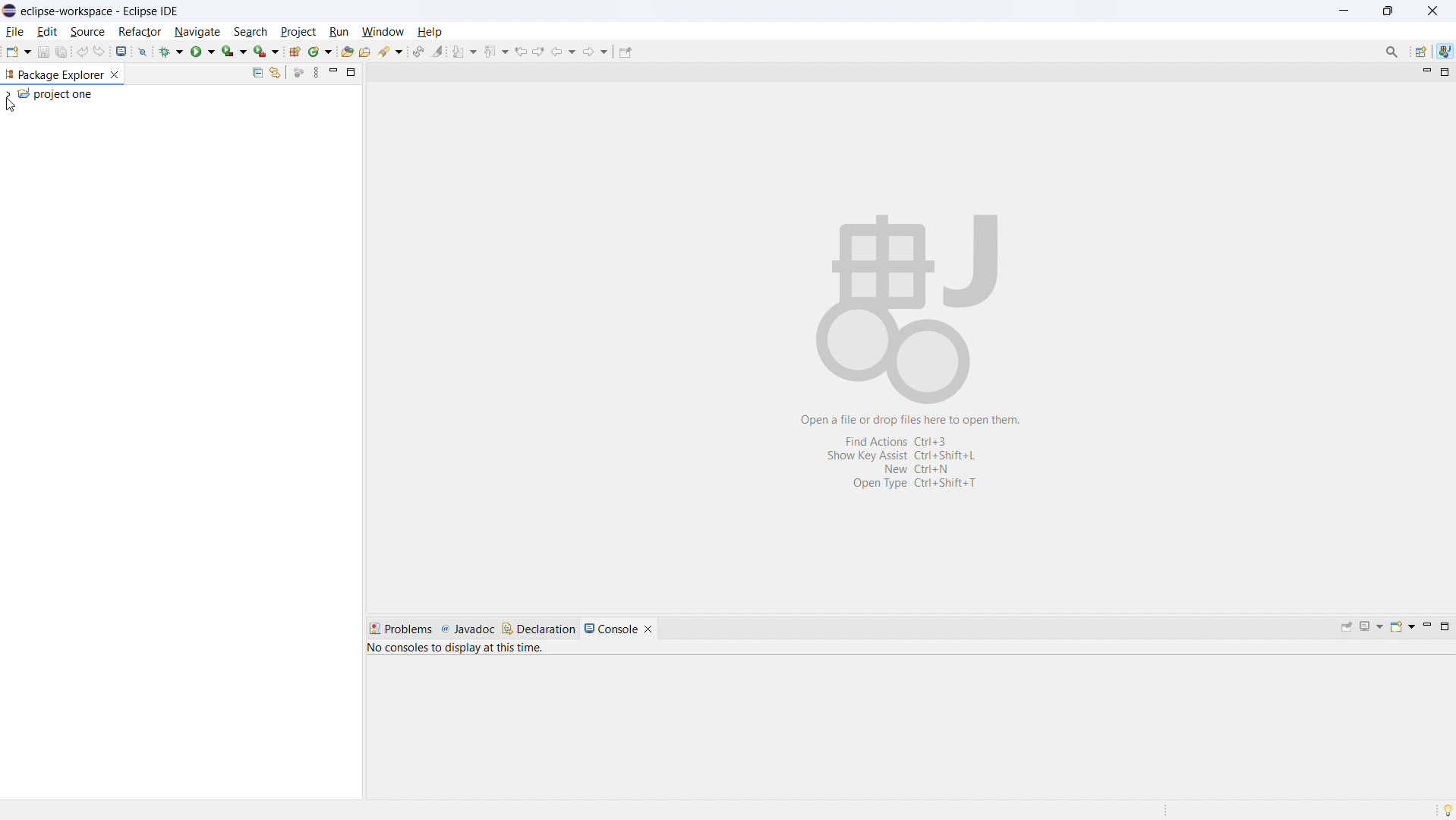 The width and height of the screenshot is (1456, 820). Describe the element at coordinates (563, 50) in the screenshot. I see `back` at that location.